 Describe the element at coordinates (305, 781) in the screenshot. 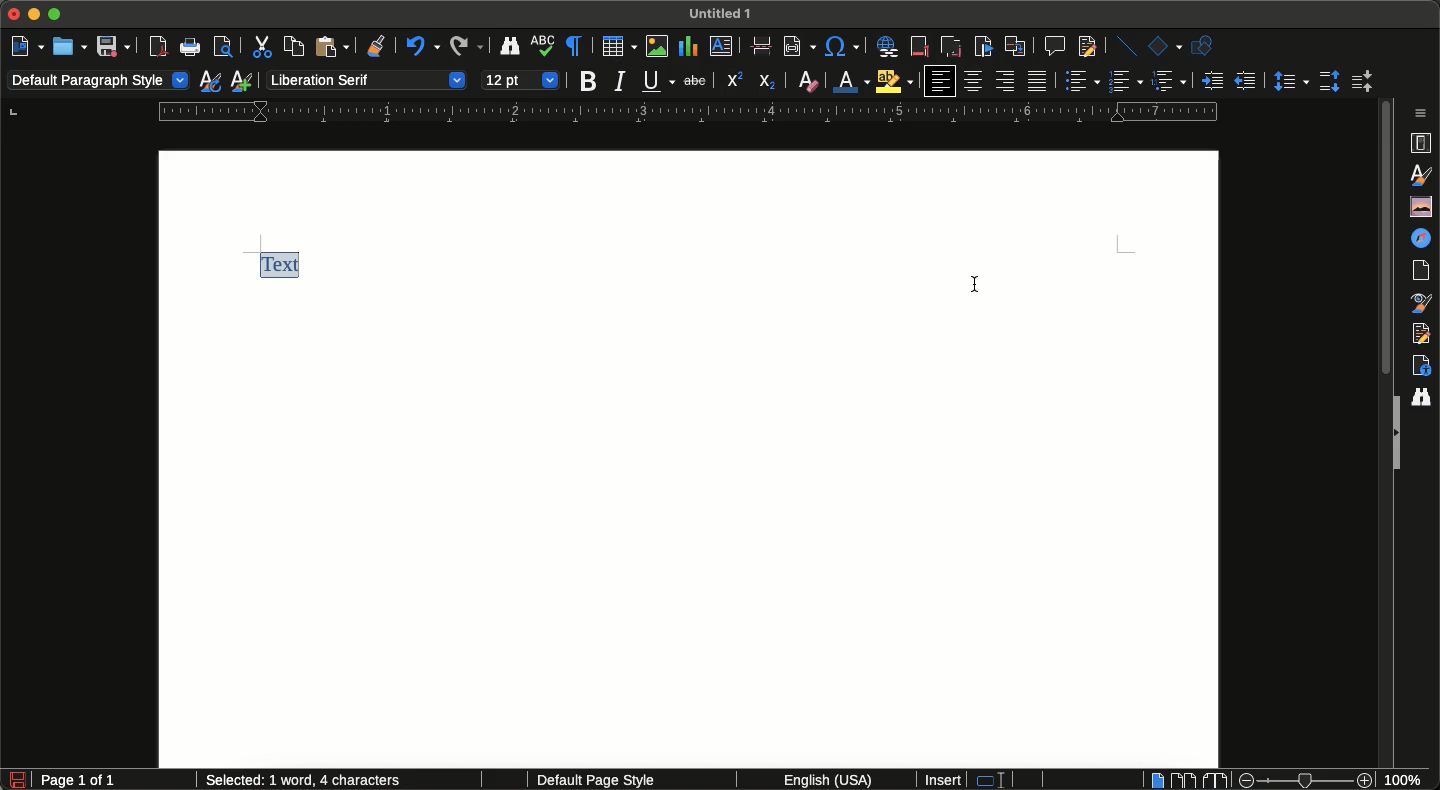

I see `Word and character count` at that location.